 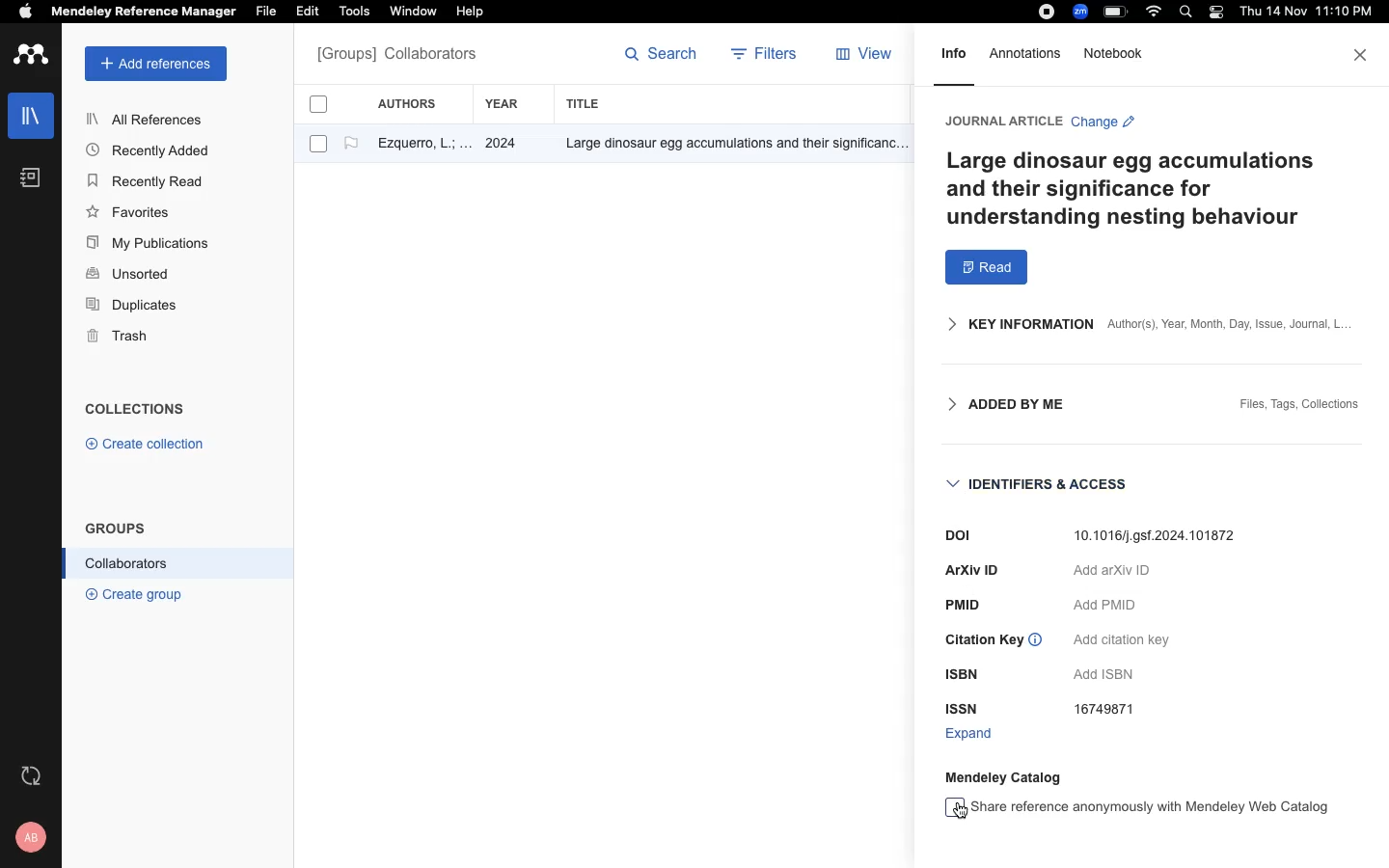 I want to click on Duplicates, so click(x=133, y=306).